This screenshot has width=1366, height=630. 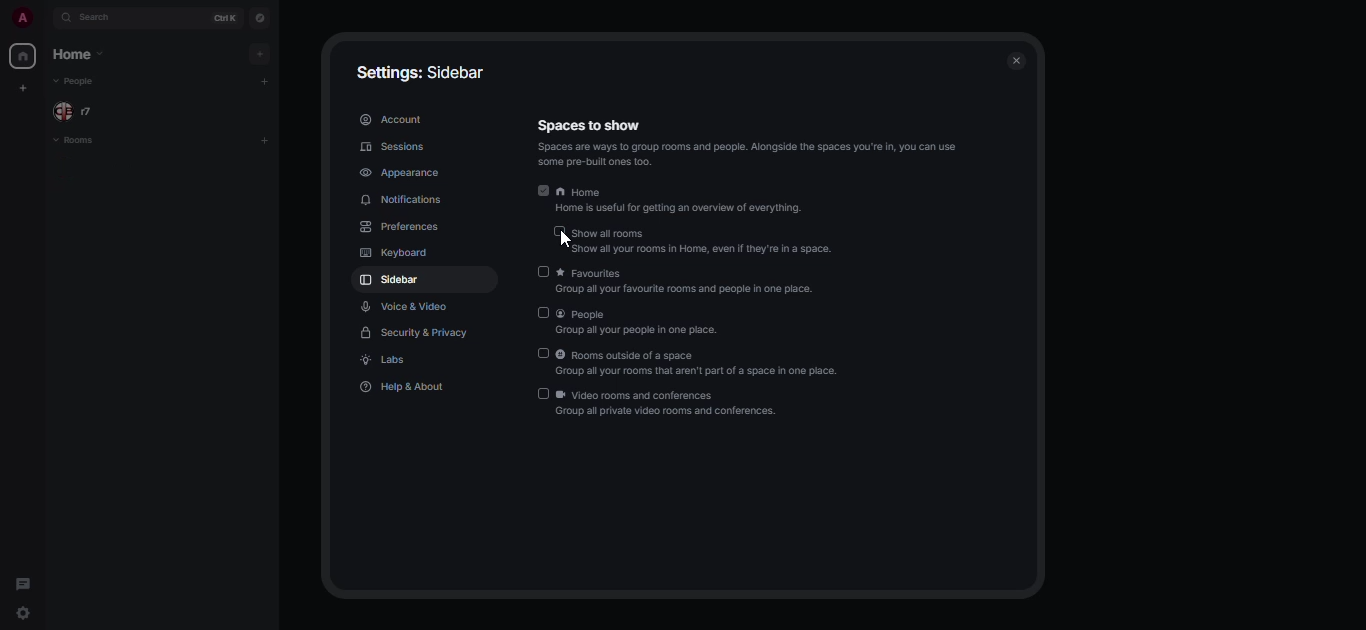 What do you see at coordinates (402, 306) in the screenshot?
I see `voice & video` at bounding box center [402, 306].